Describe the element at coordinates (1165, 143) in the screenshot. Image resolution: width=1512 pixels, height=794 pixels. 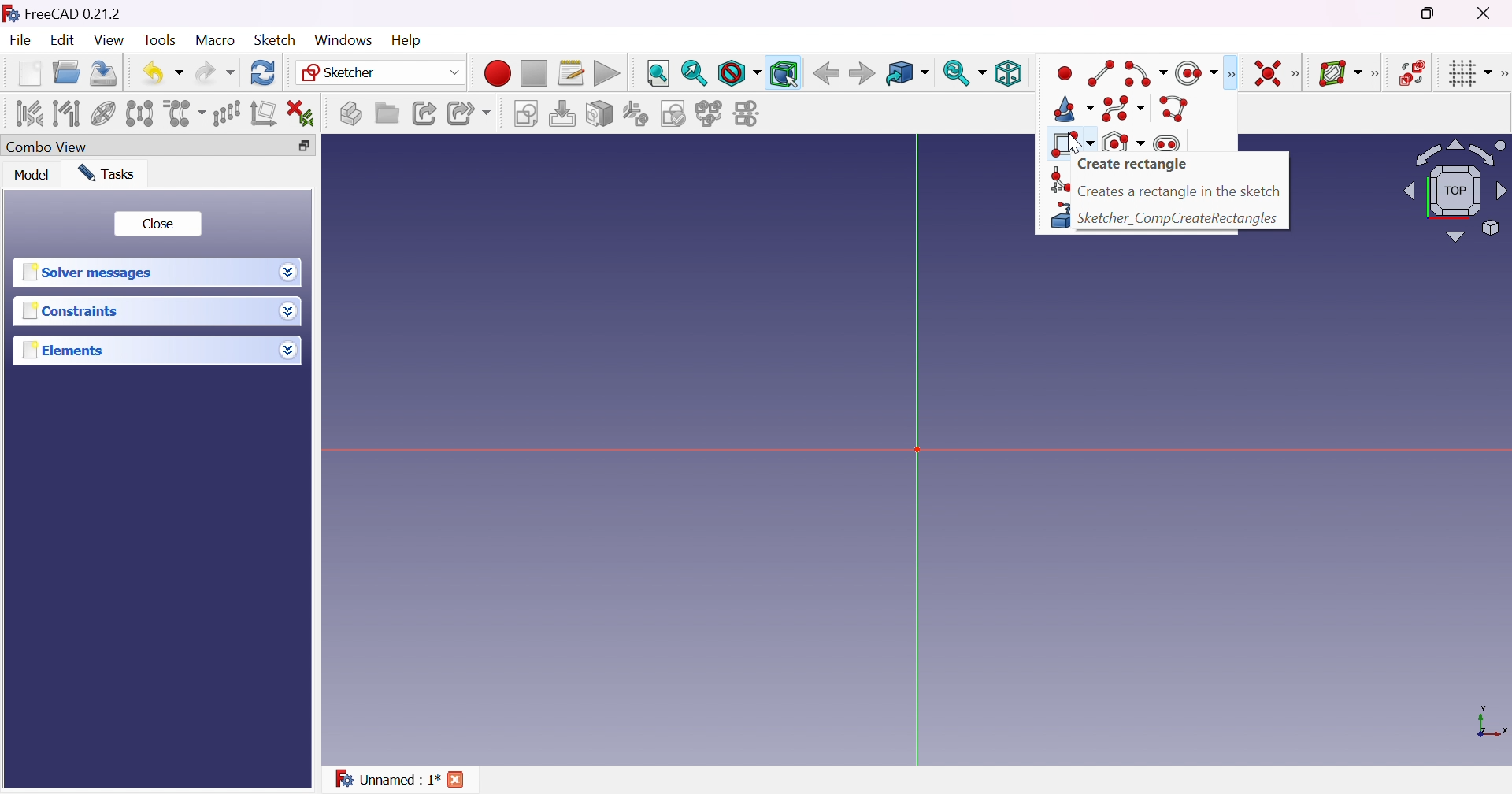
I see `Create a slot` at that location.